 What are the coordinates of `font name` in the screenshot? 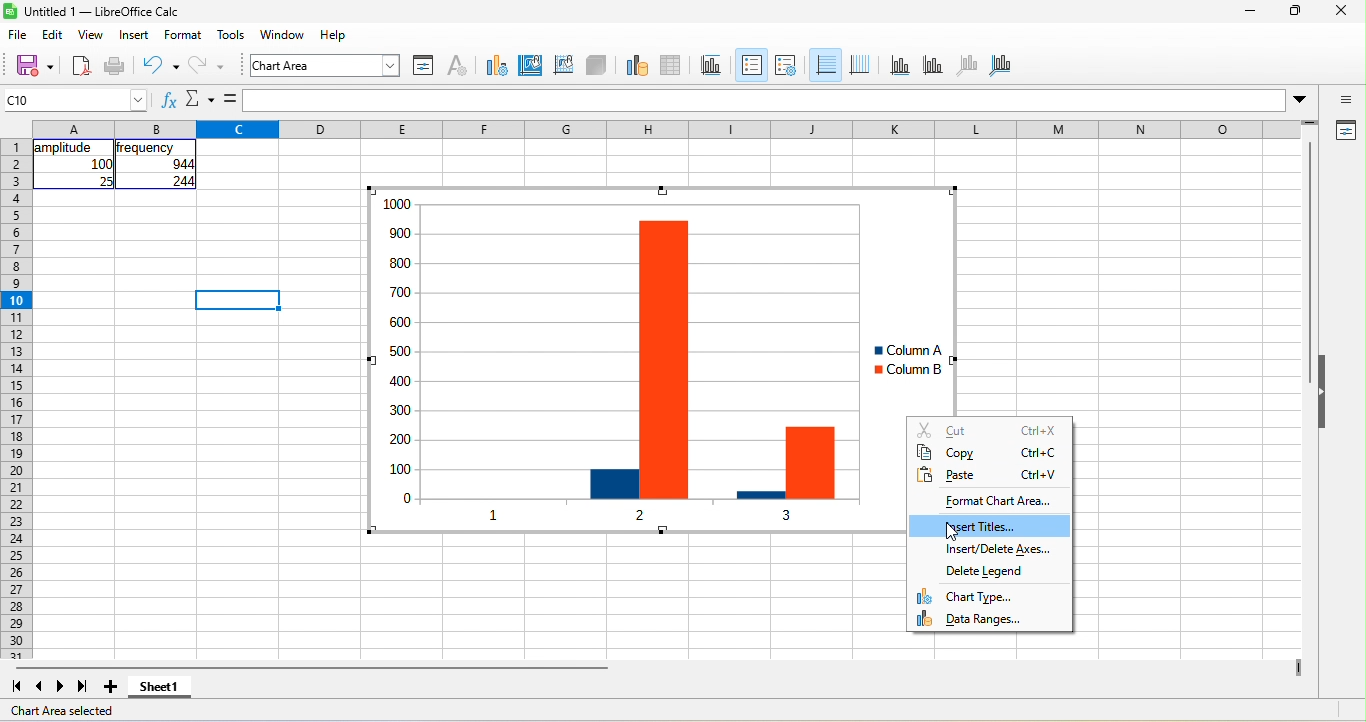 It's located at (325, 65).